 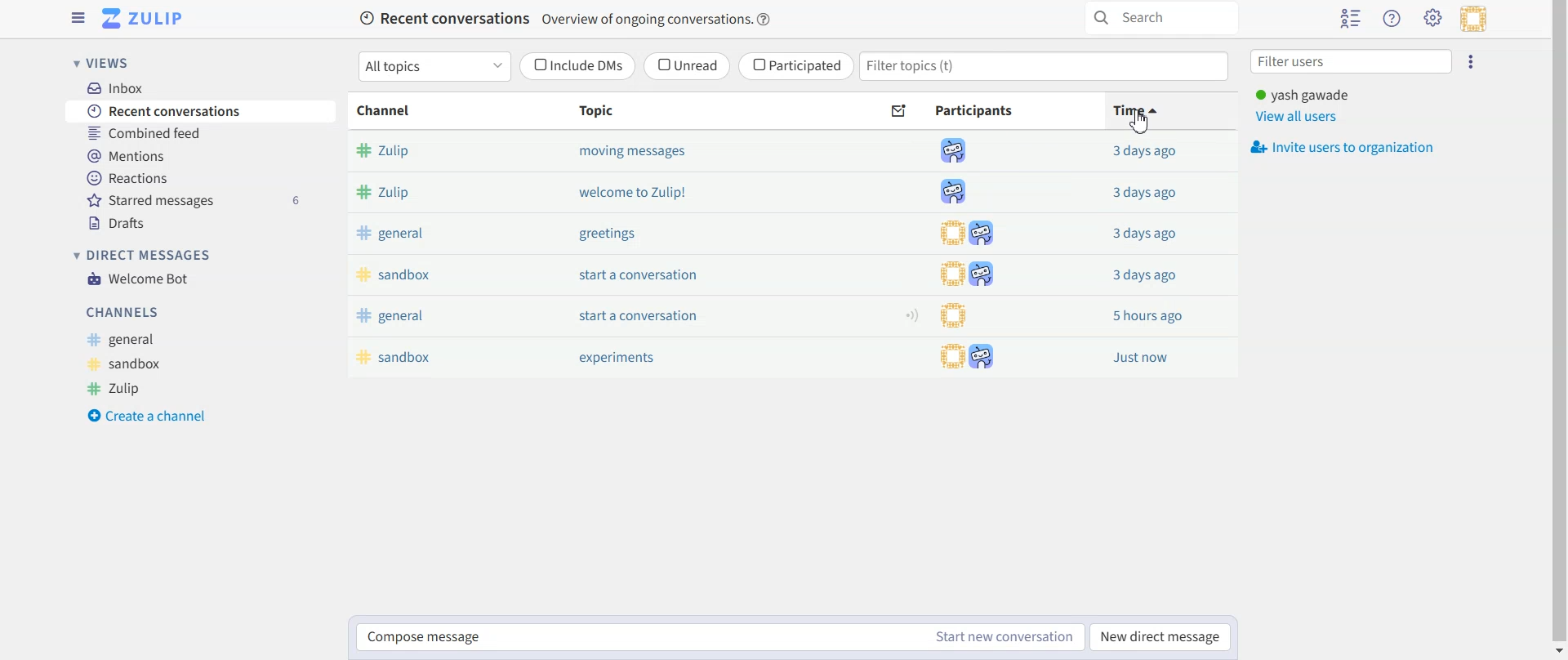 What do you see at coordinates (899, 112) in the screenshot?
I see `Sort by unread messages` at bounding box center [899, 112].